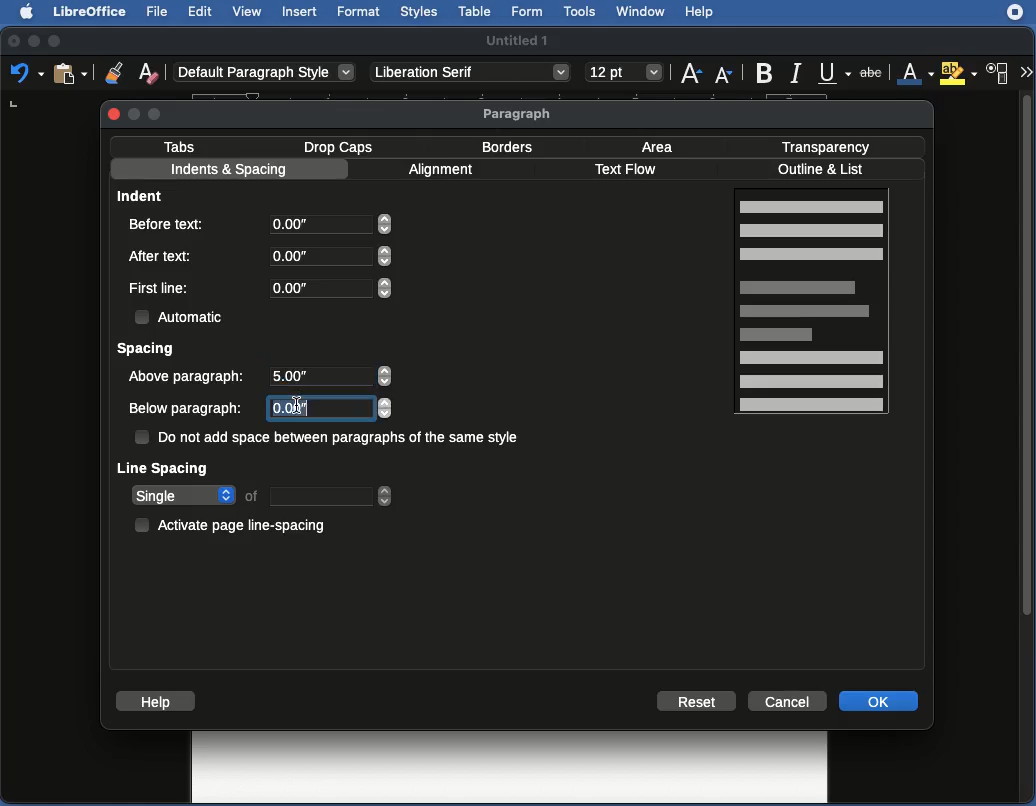 Image resolution: width=1036 pixels, height=806 pixels. I want to click on View, so click(249, 13).